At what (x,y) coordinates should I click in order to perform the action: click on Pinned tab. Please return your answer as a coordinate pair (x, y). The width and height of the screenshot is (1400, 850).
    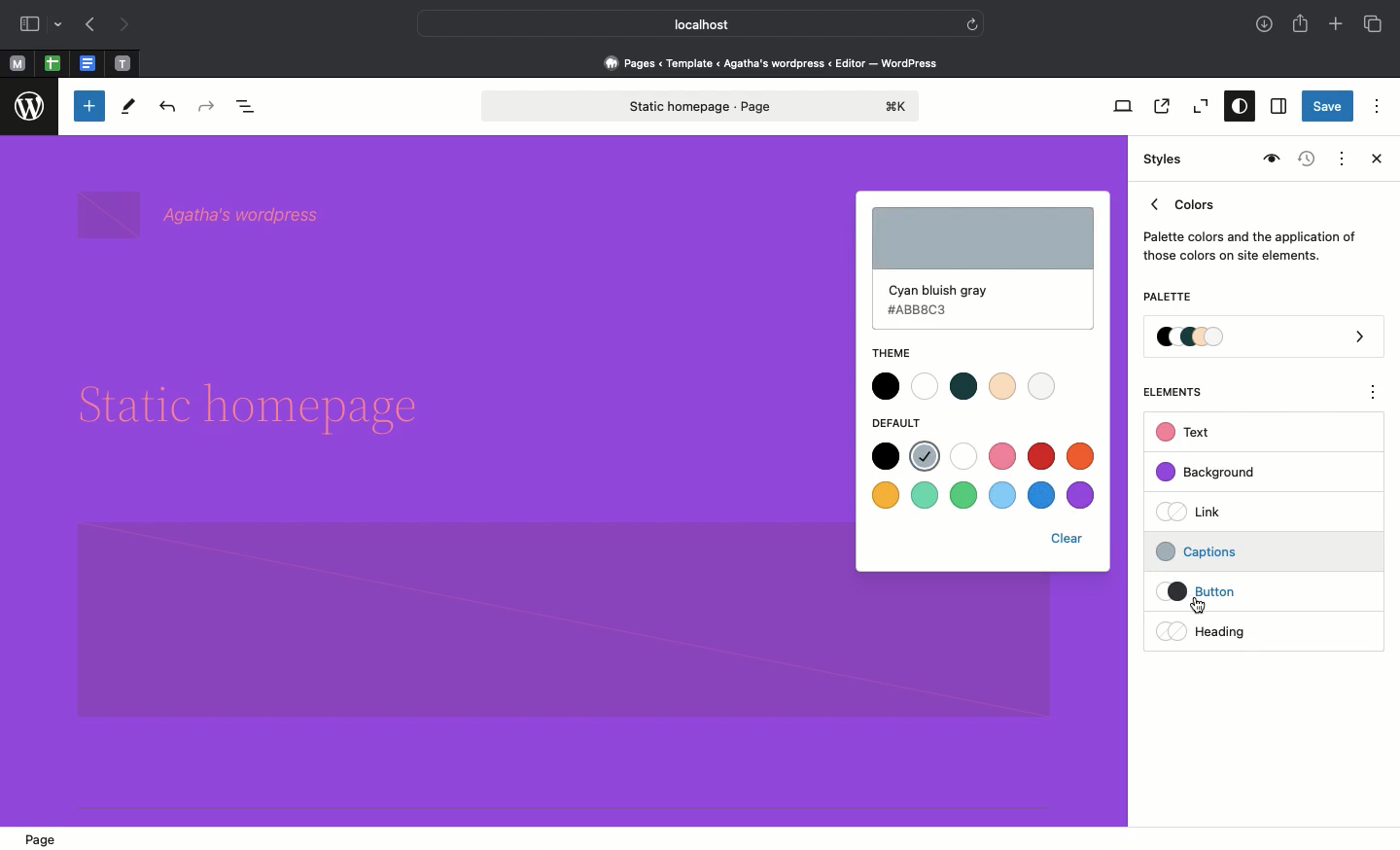
    Looking at the image, I should click on (89, 64).